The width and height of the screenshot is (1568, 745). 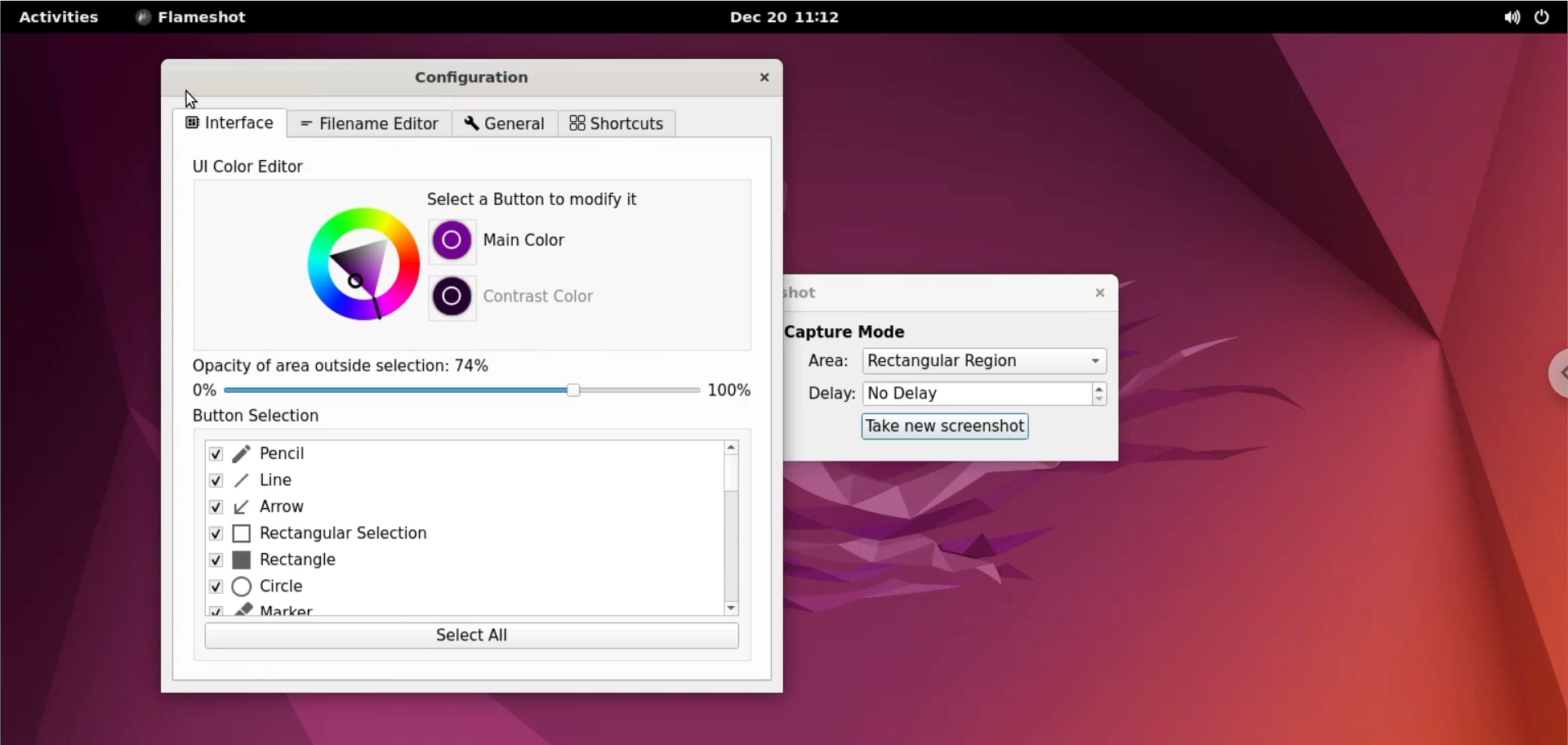 What do you see at coordinates (555, 199) in the screenshot?
I see `select a button to modify it` at bounding box center [555, 199].